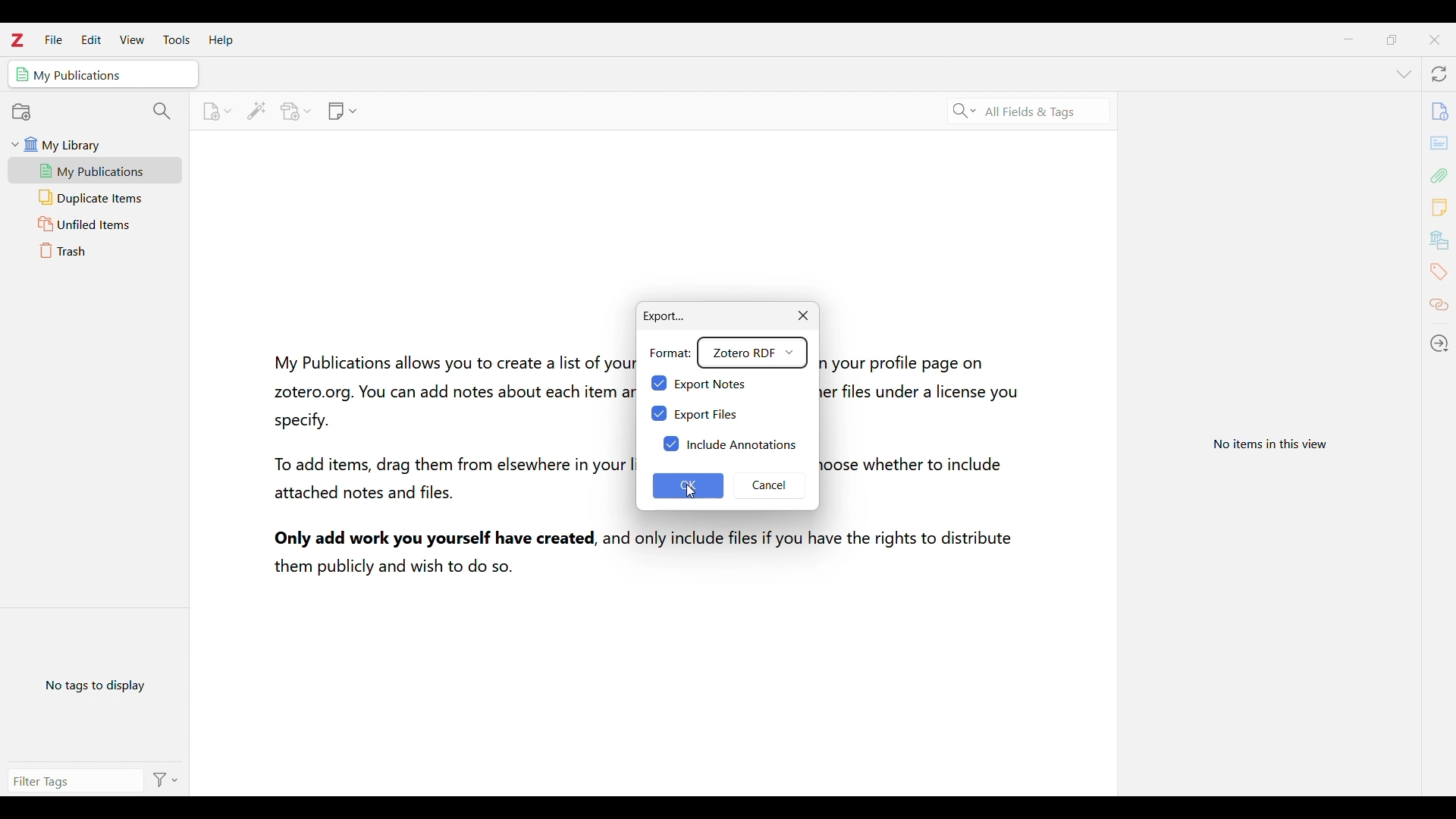 The width and height of the screenshot is (1456, 819). What do you see at coordinates (1439, 74) in the screenshot?
I see `Sync with zotero.org` at bounding box center [1439, 74].